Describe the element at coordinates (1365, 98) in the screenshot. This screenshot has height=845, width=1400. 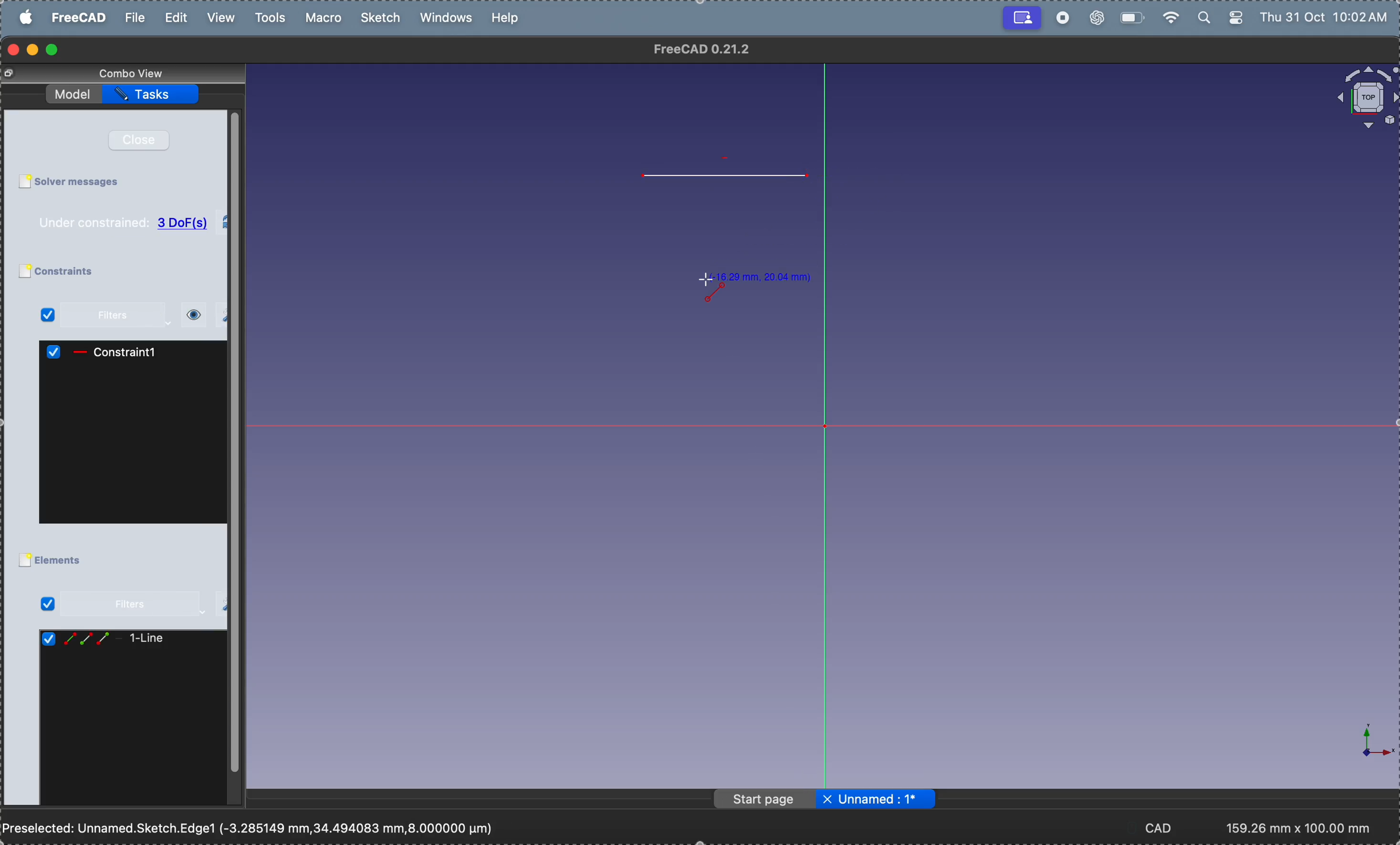
I see `object view` at that location.